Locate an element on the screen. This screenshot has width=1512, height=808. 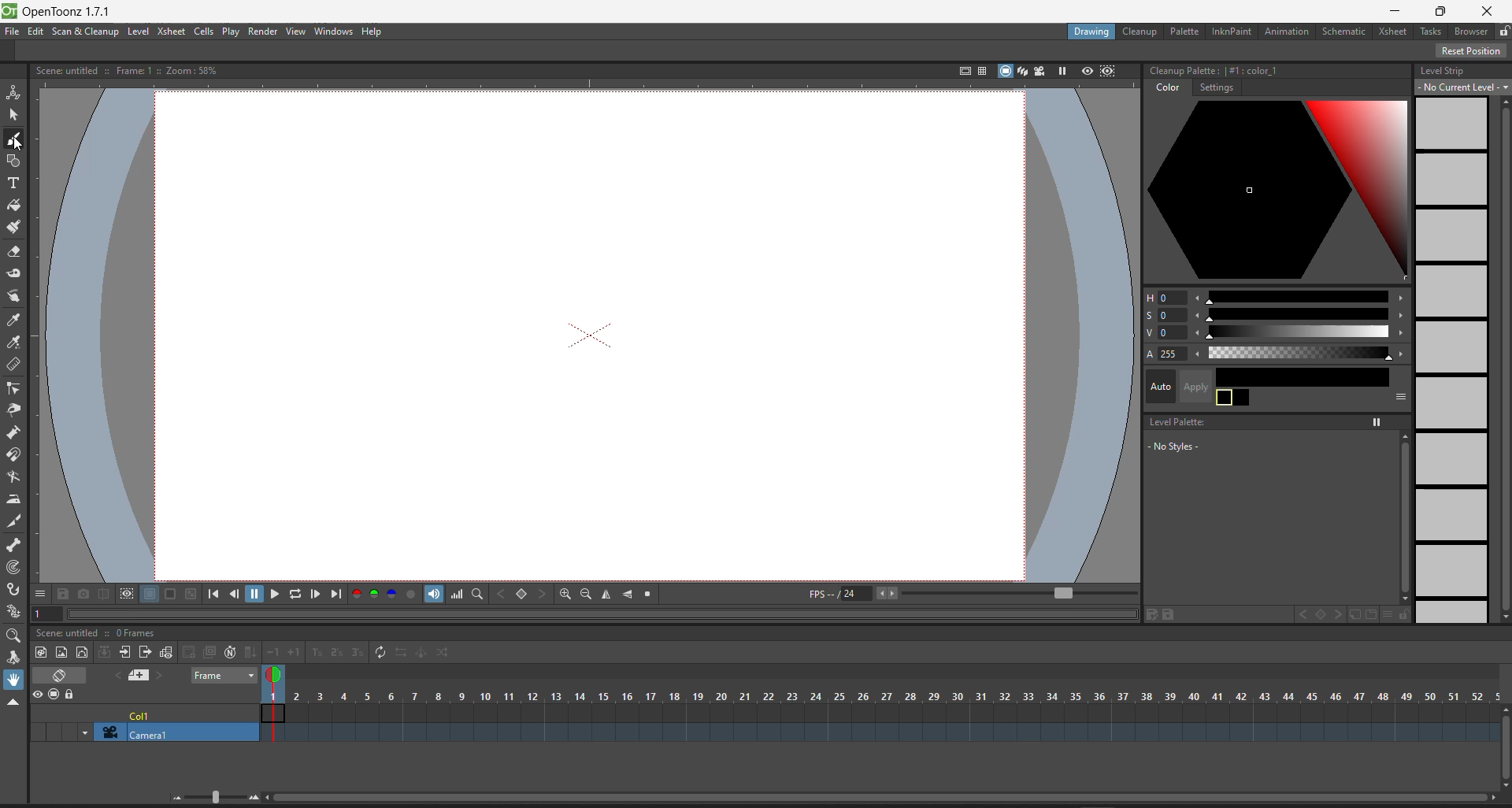
vertical scroll bar is located at coordinates (1405, 517).